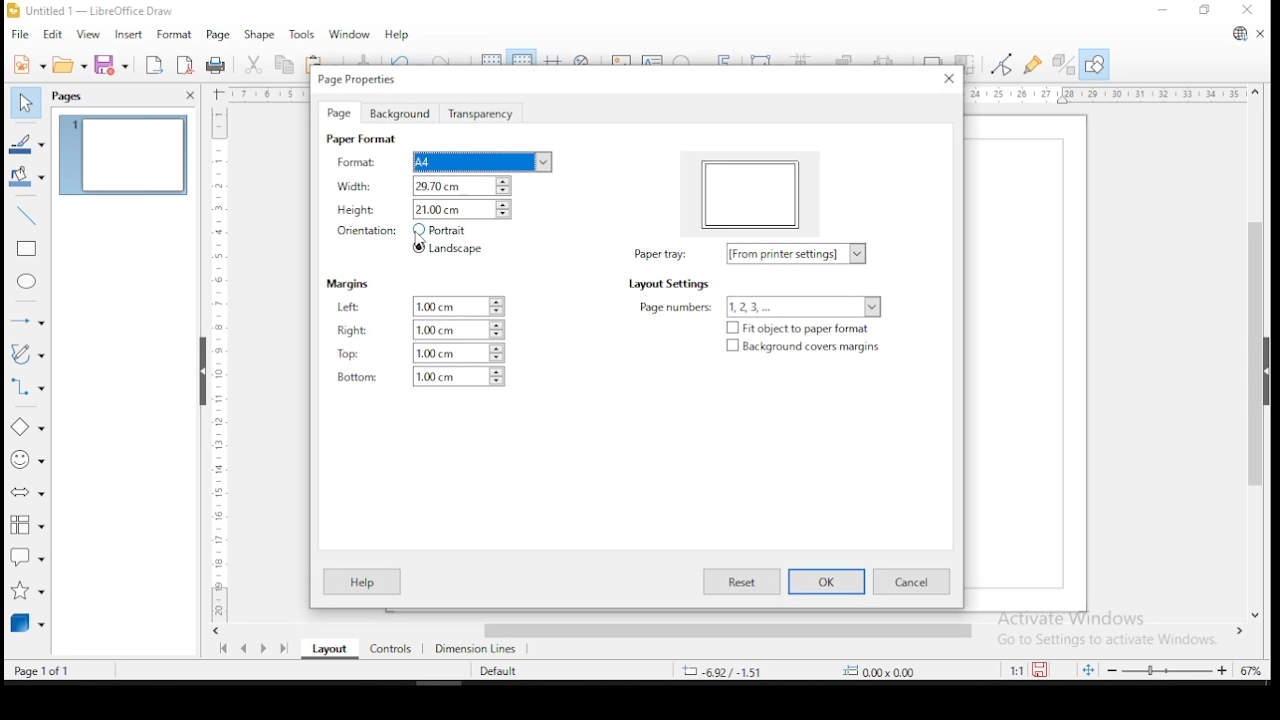 Image resolution: width=1280 pixels, height=720 pixels. Describe the element at coordinates (28, 496) in the screenshot. I see `block arrows` at that location.